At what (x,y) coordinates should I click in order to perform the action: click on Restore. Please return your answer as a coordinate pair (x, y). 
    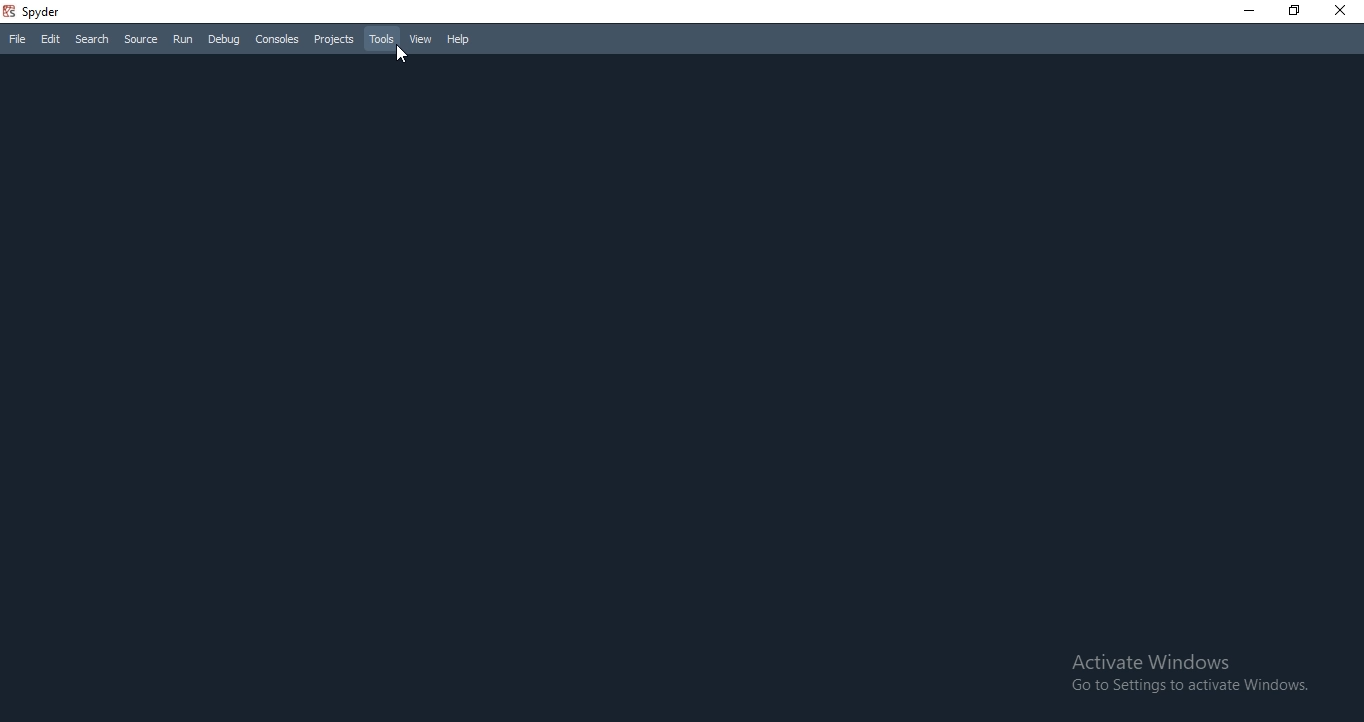
    Looking at the image, I should click on (1293, 12).